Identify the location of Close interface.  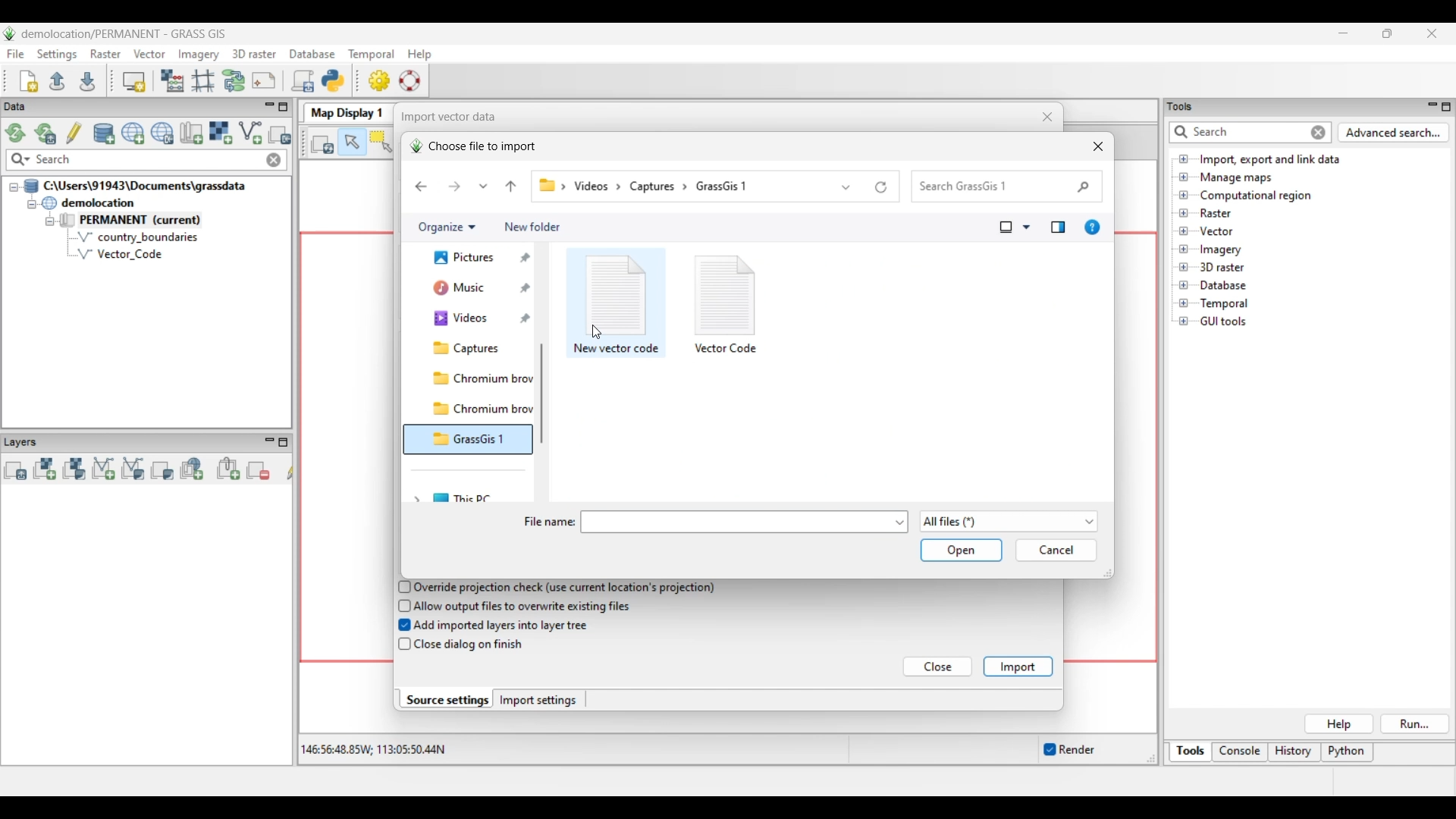
(1431, 33).